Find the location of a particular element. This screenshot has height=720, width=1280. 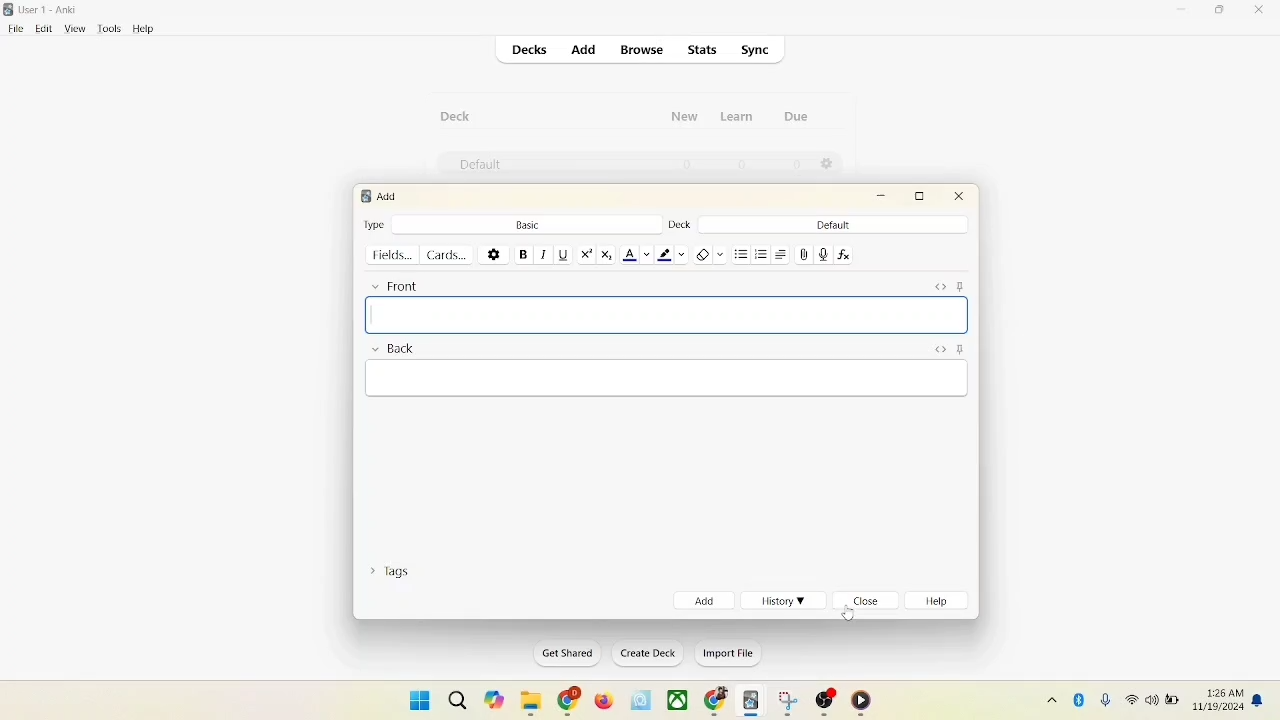

0 is located at coordinates (798, 165).